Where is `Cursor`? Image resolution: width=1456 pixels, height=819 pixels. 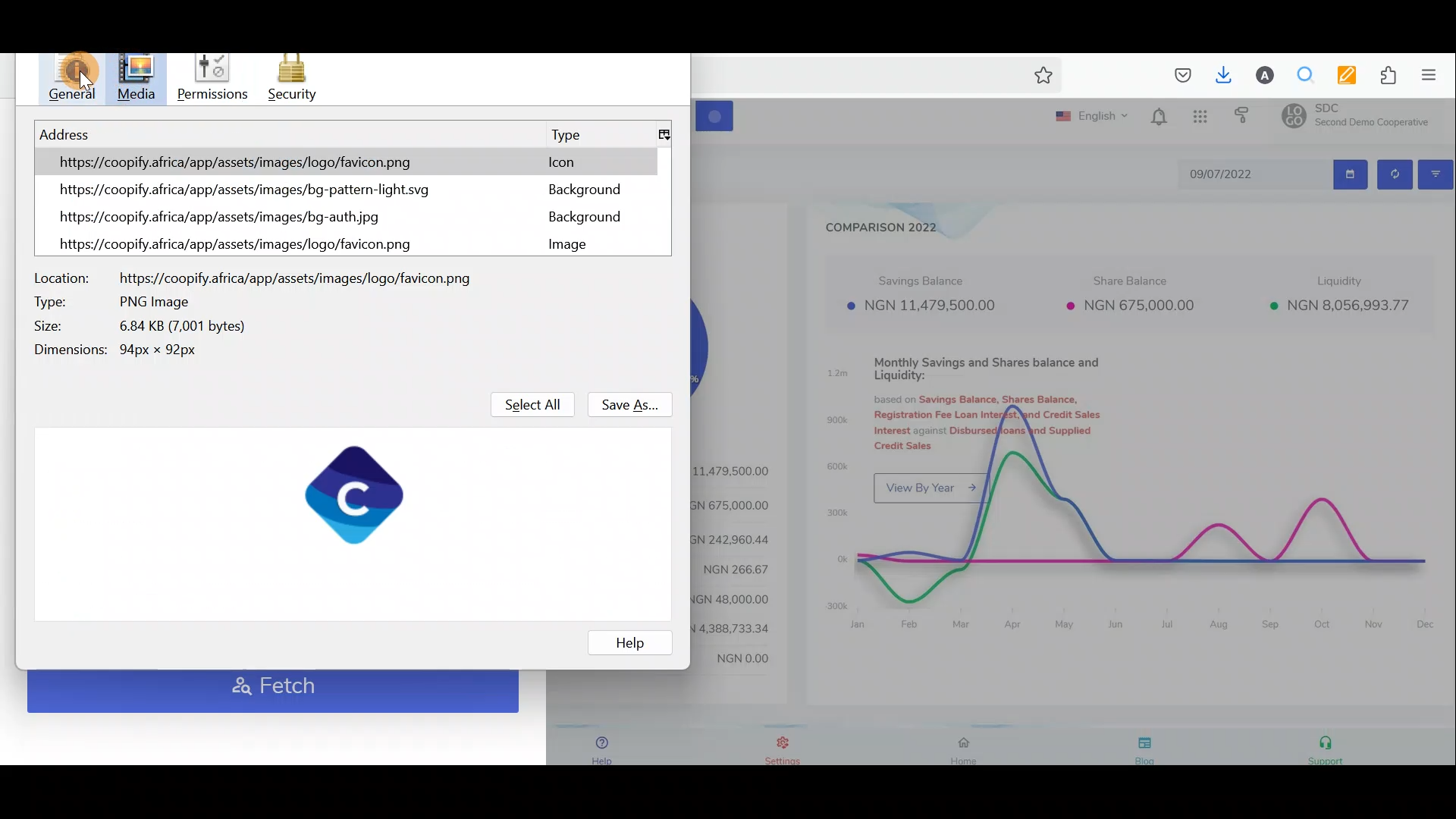 Cursor is located at coordinates (139, 78).